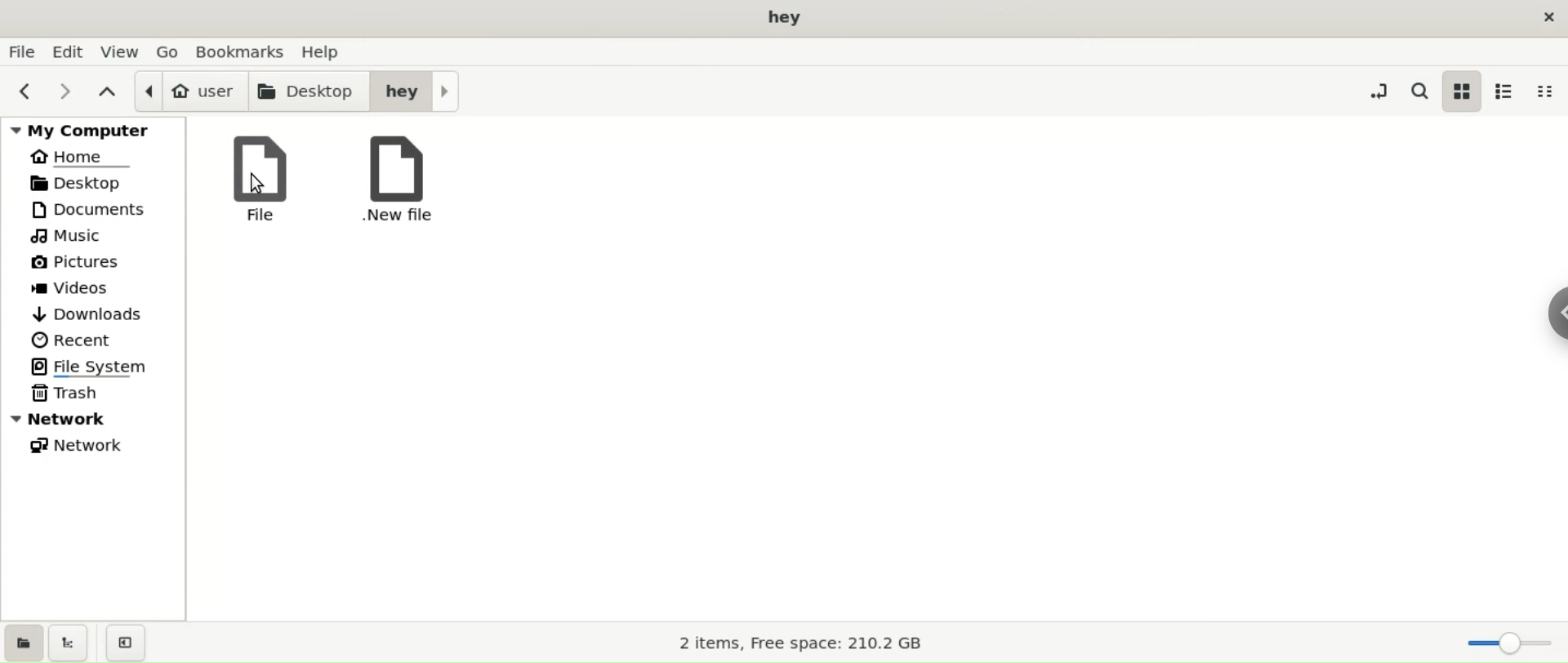 The width and height of the screenshot is (1568, 663). What do you see at coordinates (1462, 91) in the screenshot?
I see `icon view` at bounding box center [1462, 91].